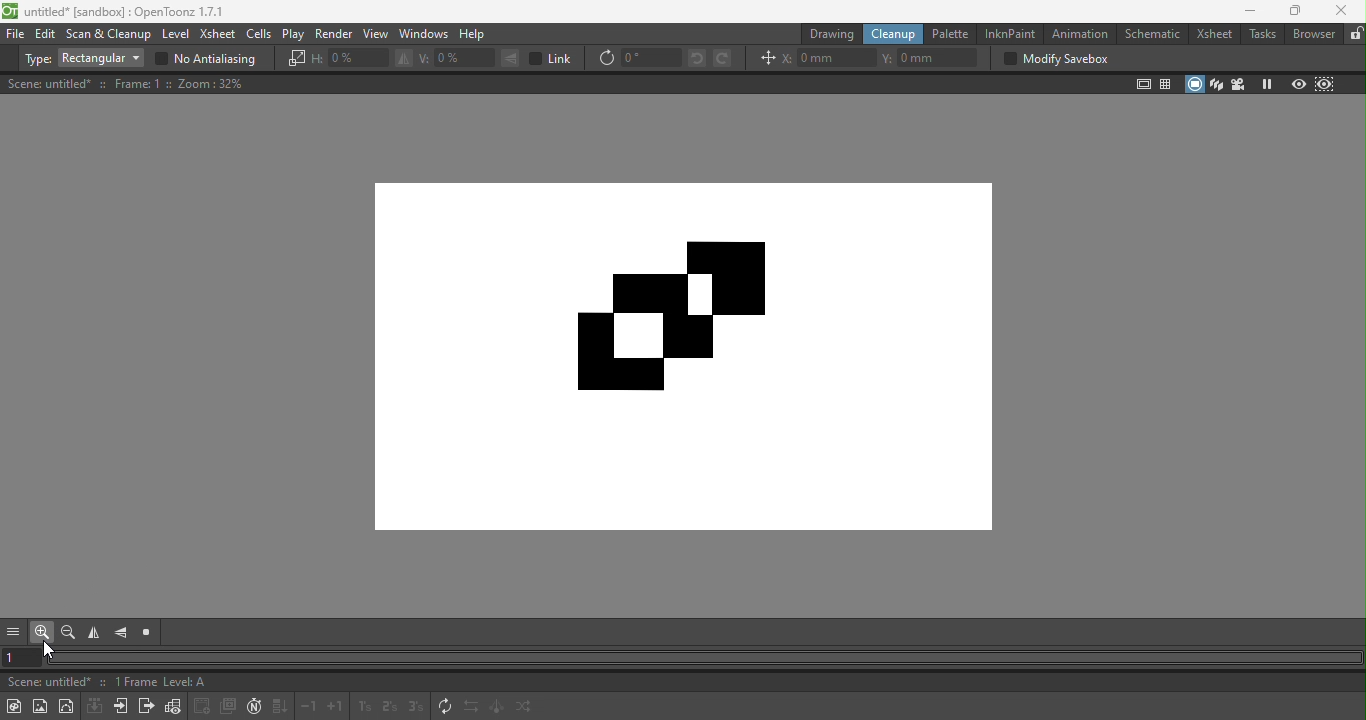  I want to click on Sub-camera preview, so click(1325, 83).